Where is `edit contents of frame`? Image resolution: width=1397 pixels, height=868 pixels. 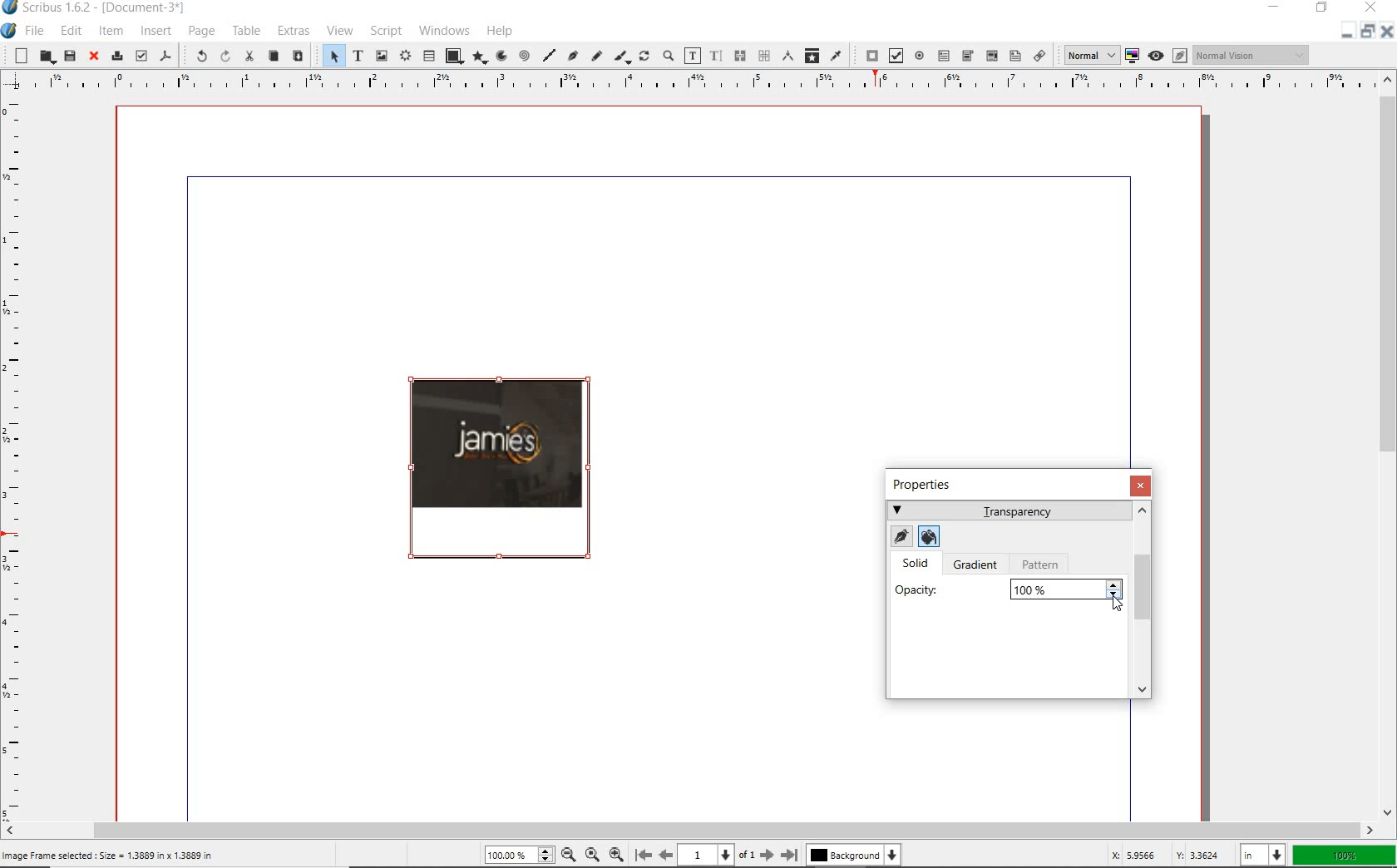 edit contents of frame is located at coordinates (692, 55).